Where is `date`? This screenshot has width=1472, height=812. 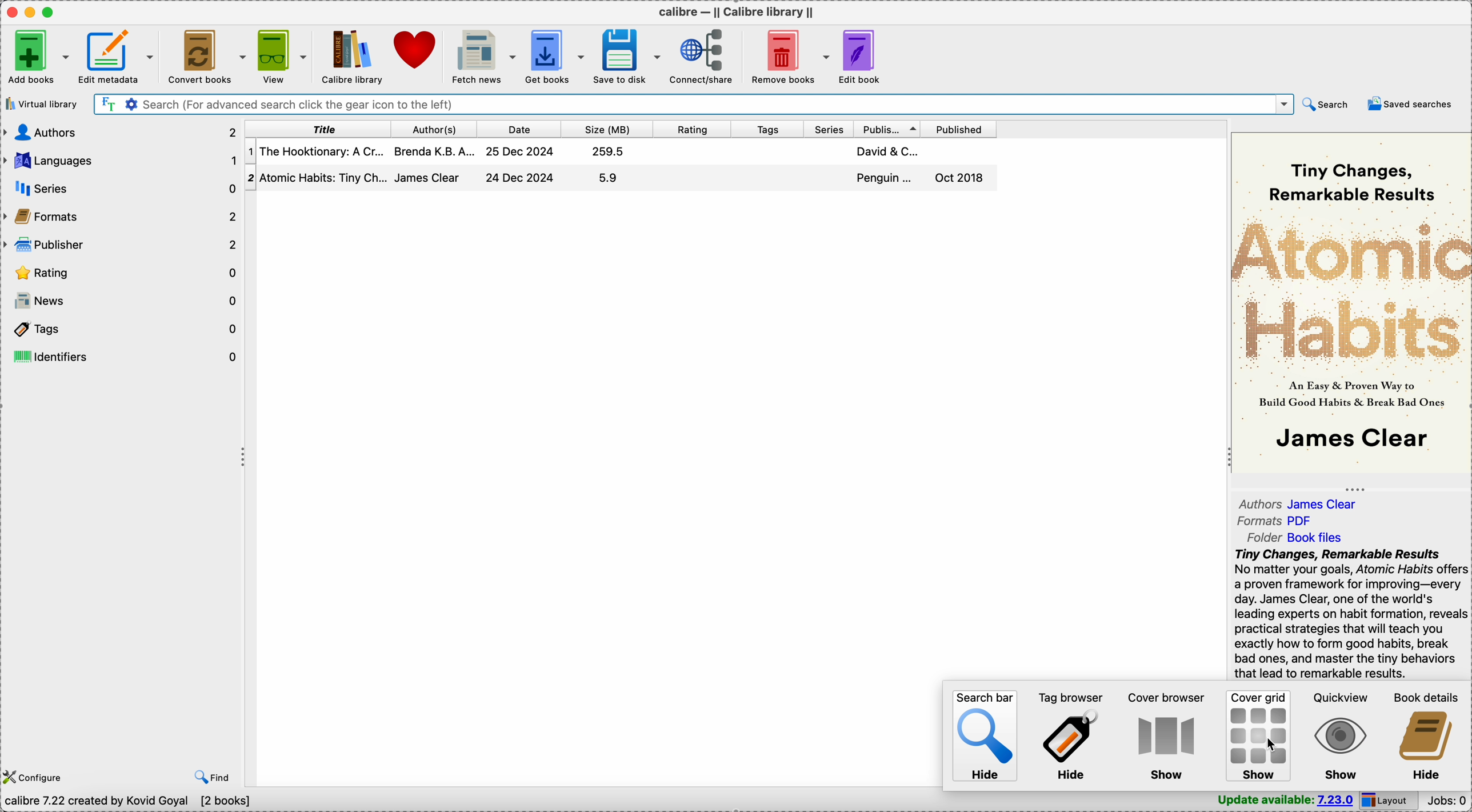 date is located at coordinates (520, 129).